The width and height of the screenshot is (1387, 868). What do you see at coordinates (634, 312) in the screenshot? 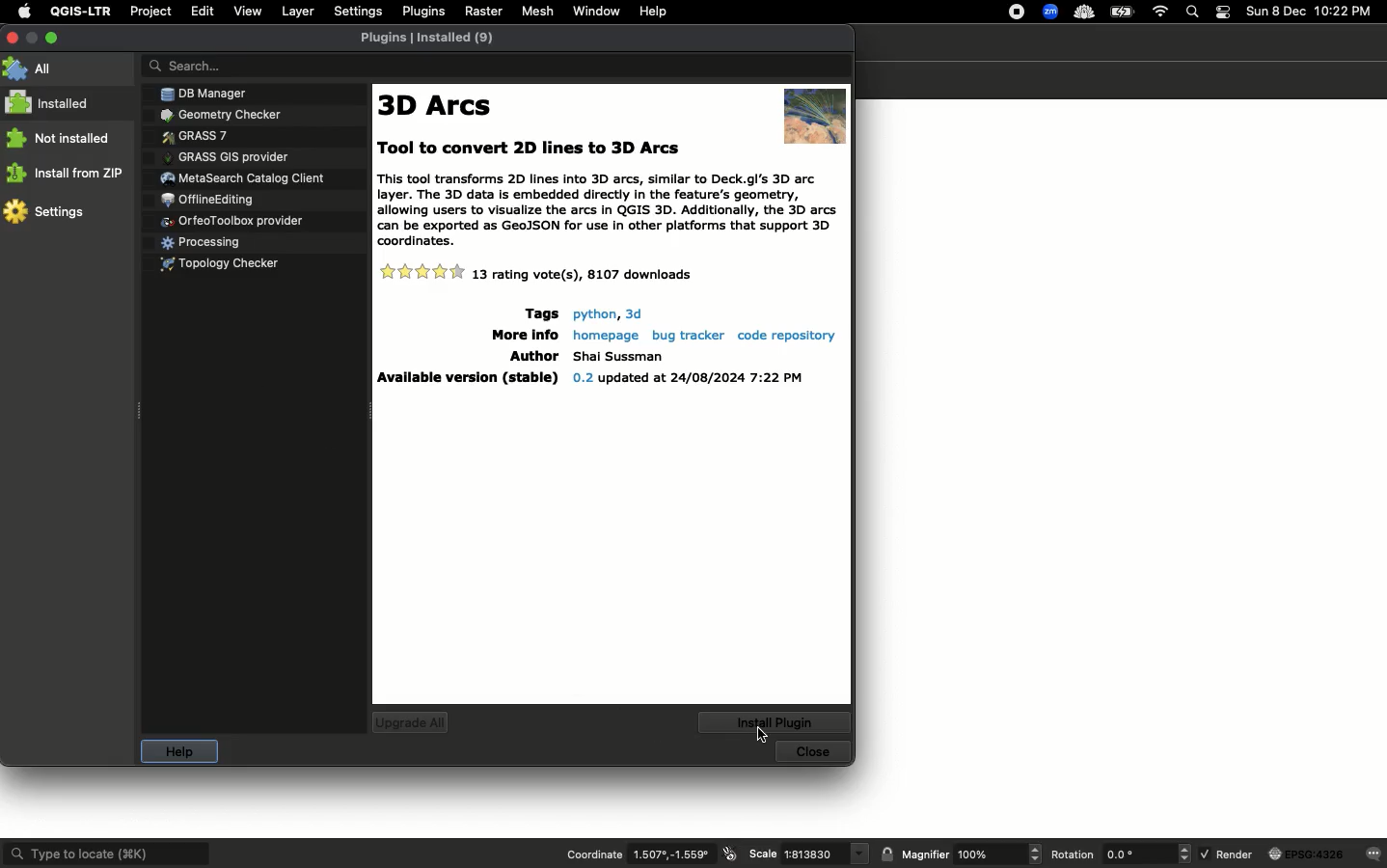
I see `` at bounding box center [634, 312].